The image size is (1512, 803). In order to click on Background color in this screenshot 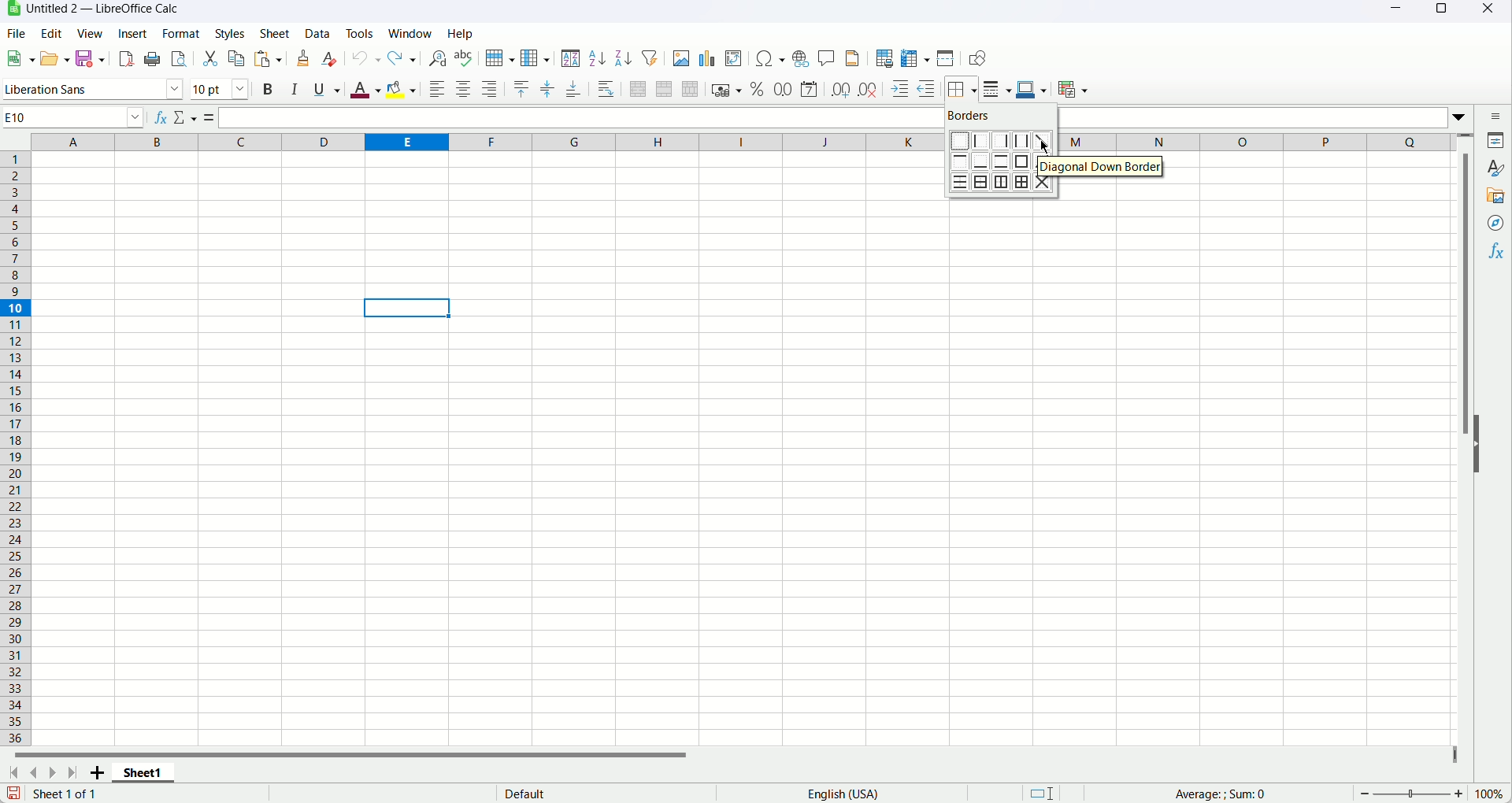, I will do `click(401, 91)`.